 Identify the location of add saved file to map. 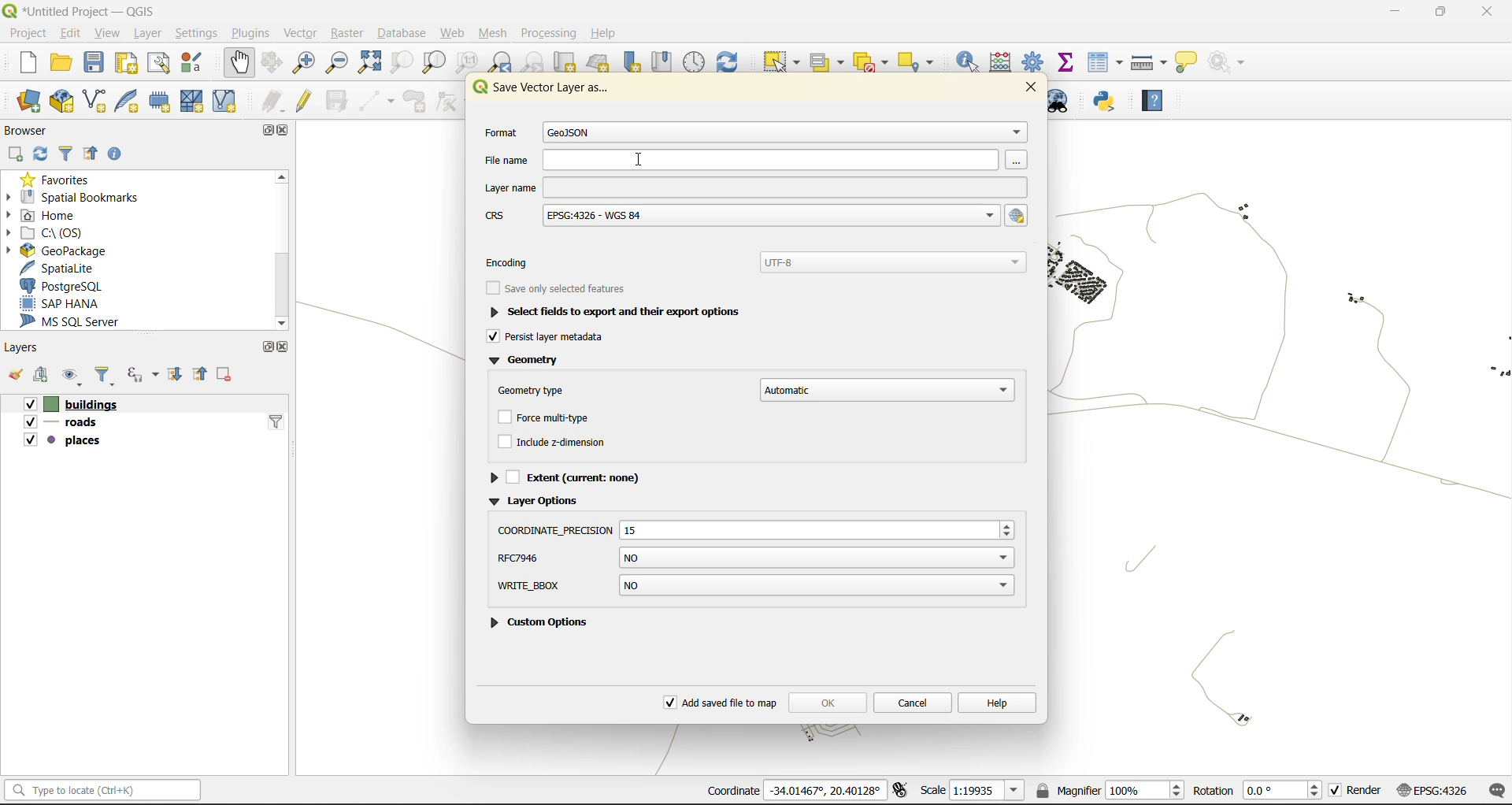
(721, 703).